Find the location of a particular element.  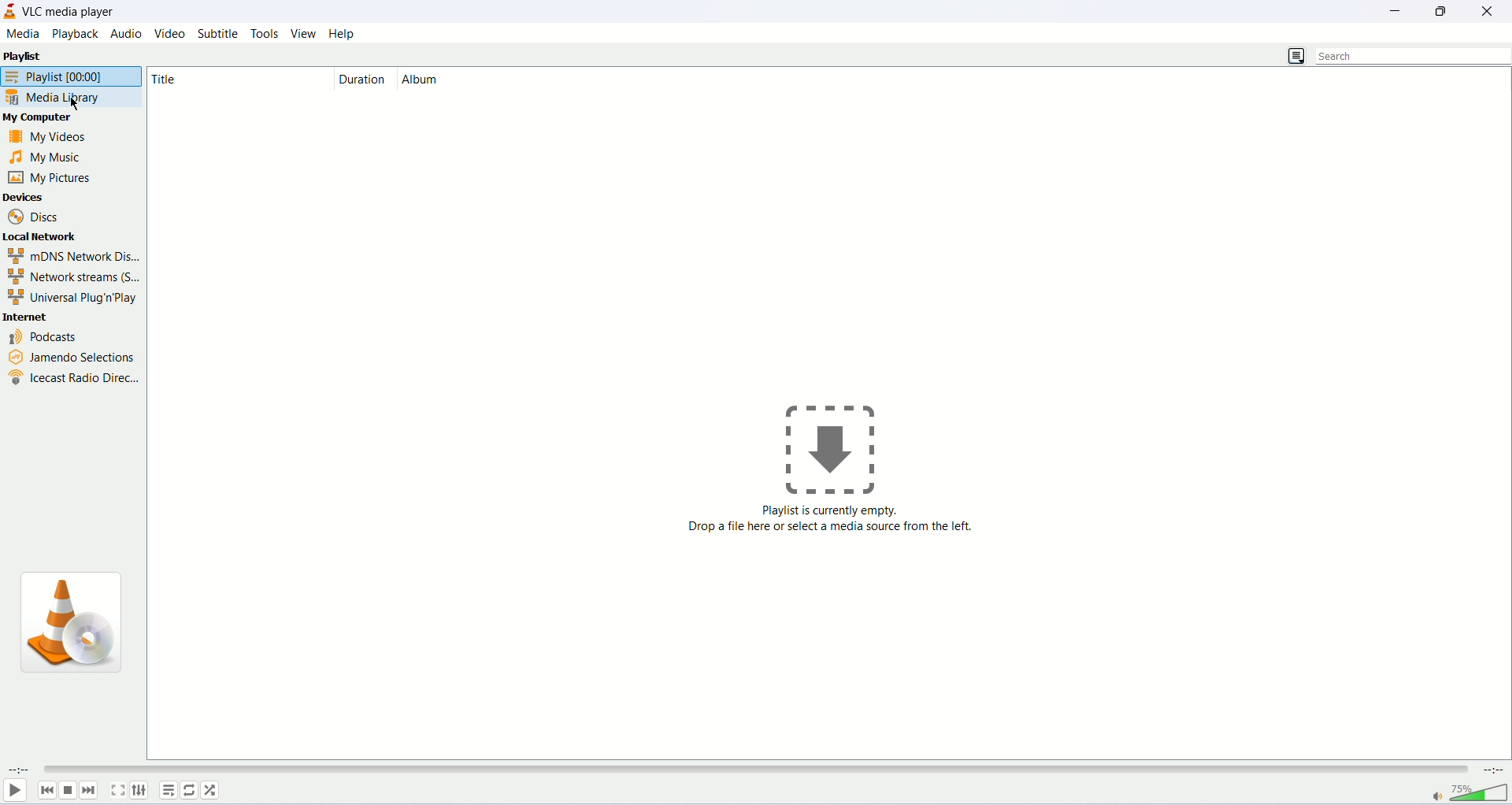

devices is located at coordinates (56, 196).